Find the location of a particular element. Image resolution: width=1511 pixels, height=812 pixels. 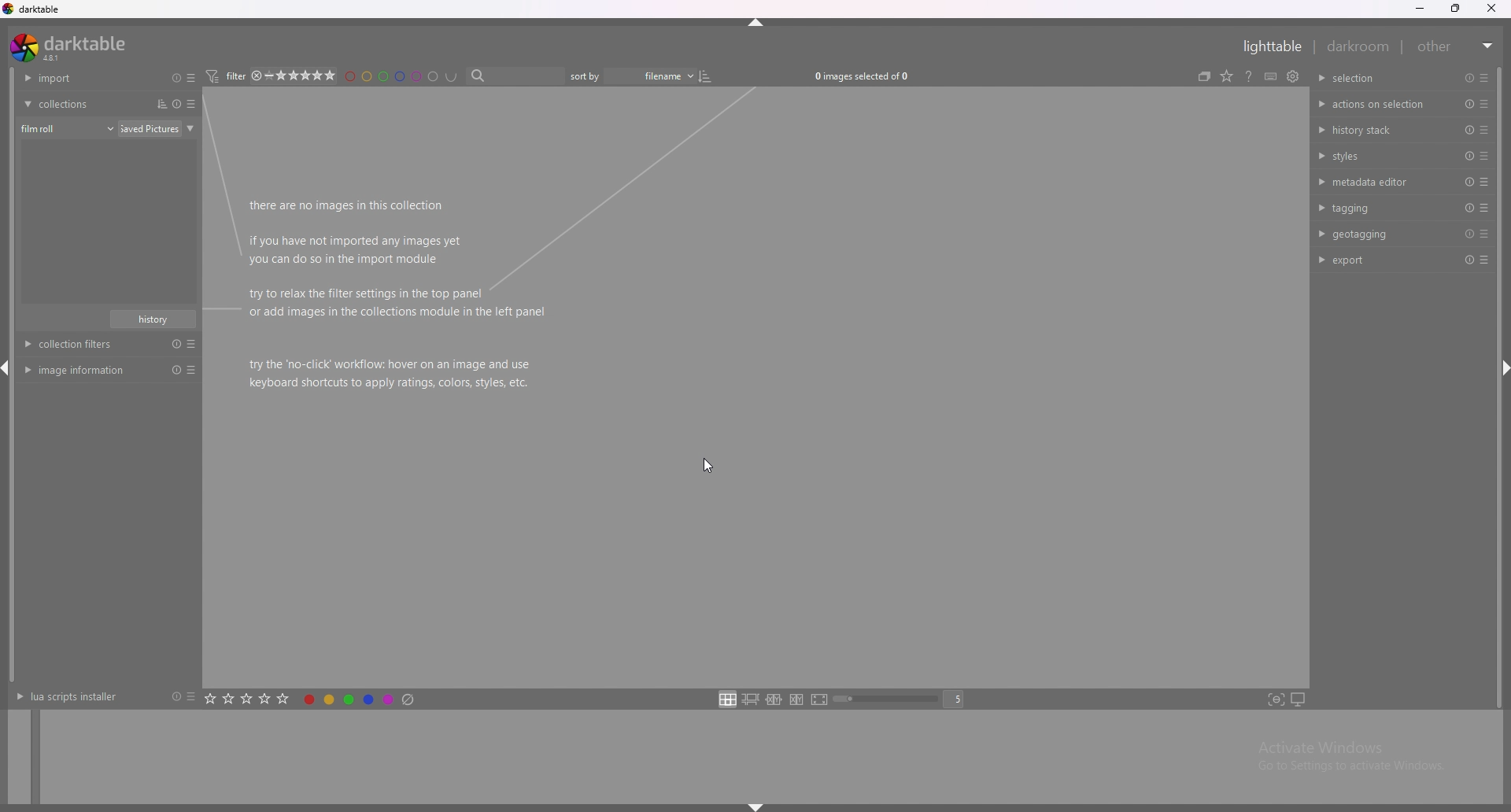

reset is located at coordinates (1468, 260).